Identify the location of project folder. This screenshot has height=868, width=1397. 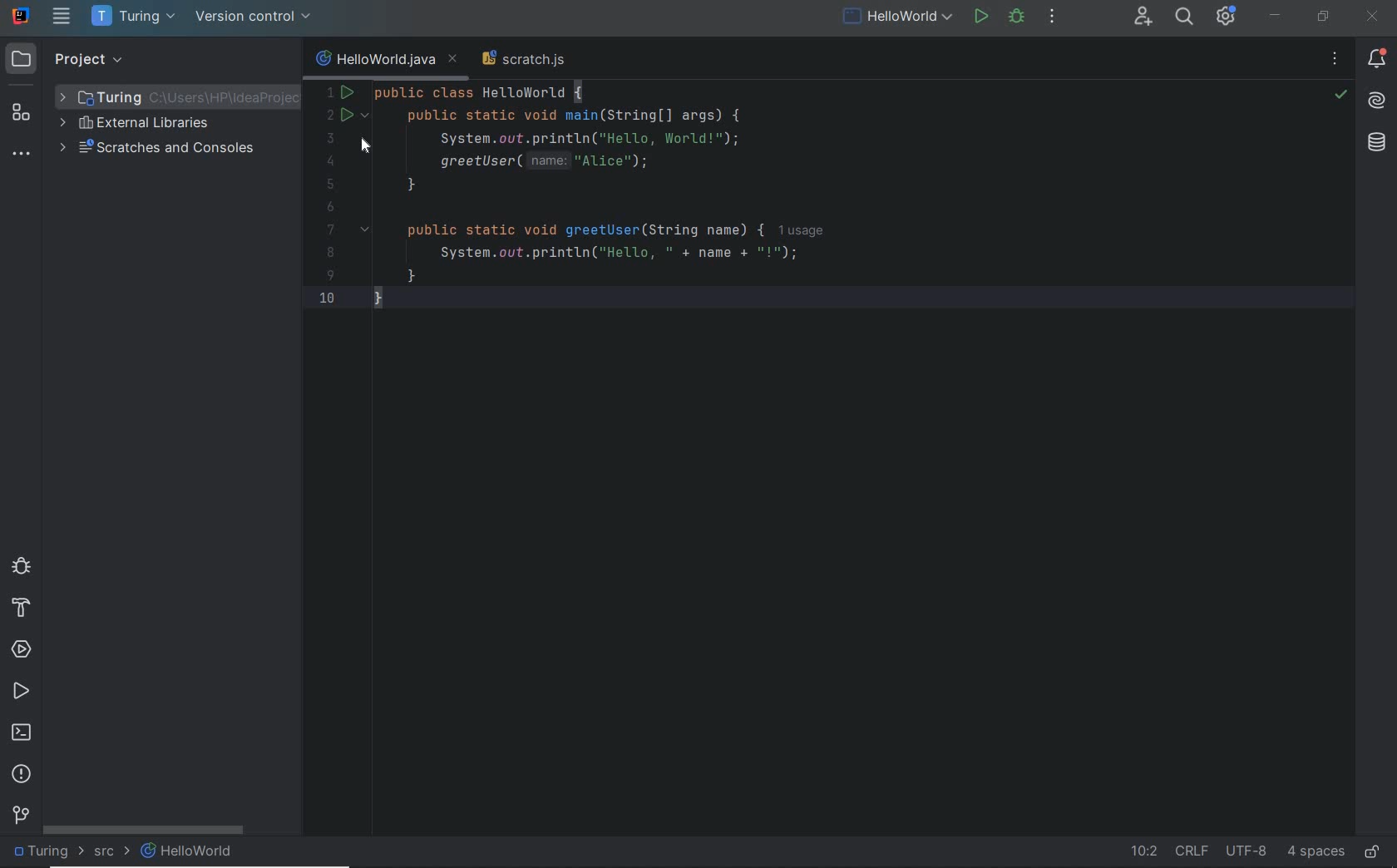
(176, 95).